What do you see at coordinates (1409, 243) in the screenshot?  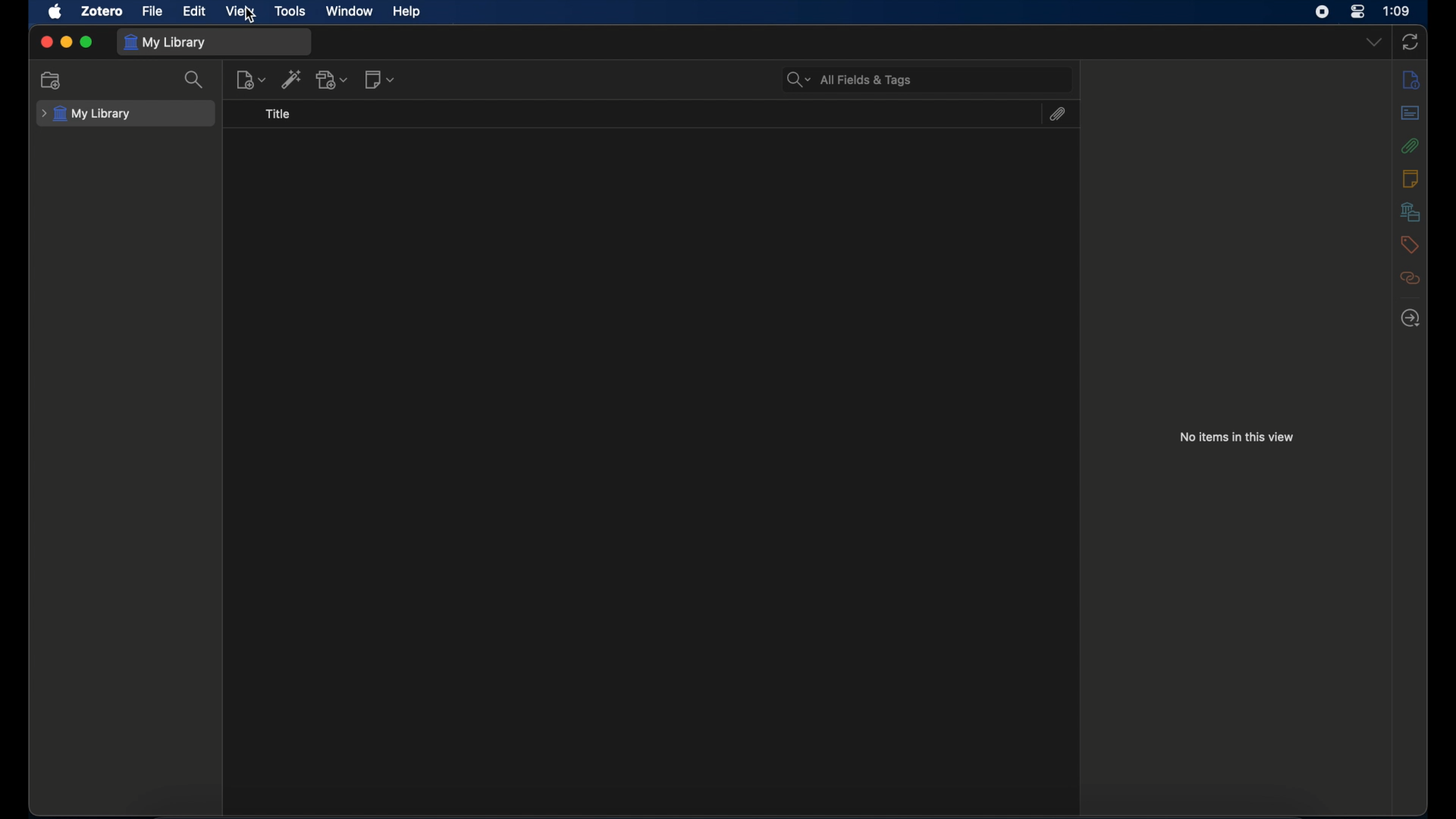 I see `tags` at bounding box center [1409, 243].